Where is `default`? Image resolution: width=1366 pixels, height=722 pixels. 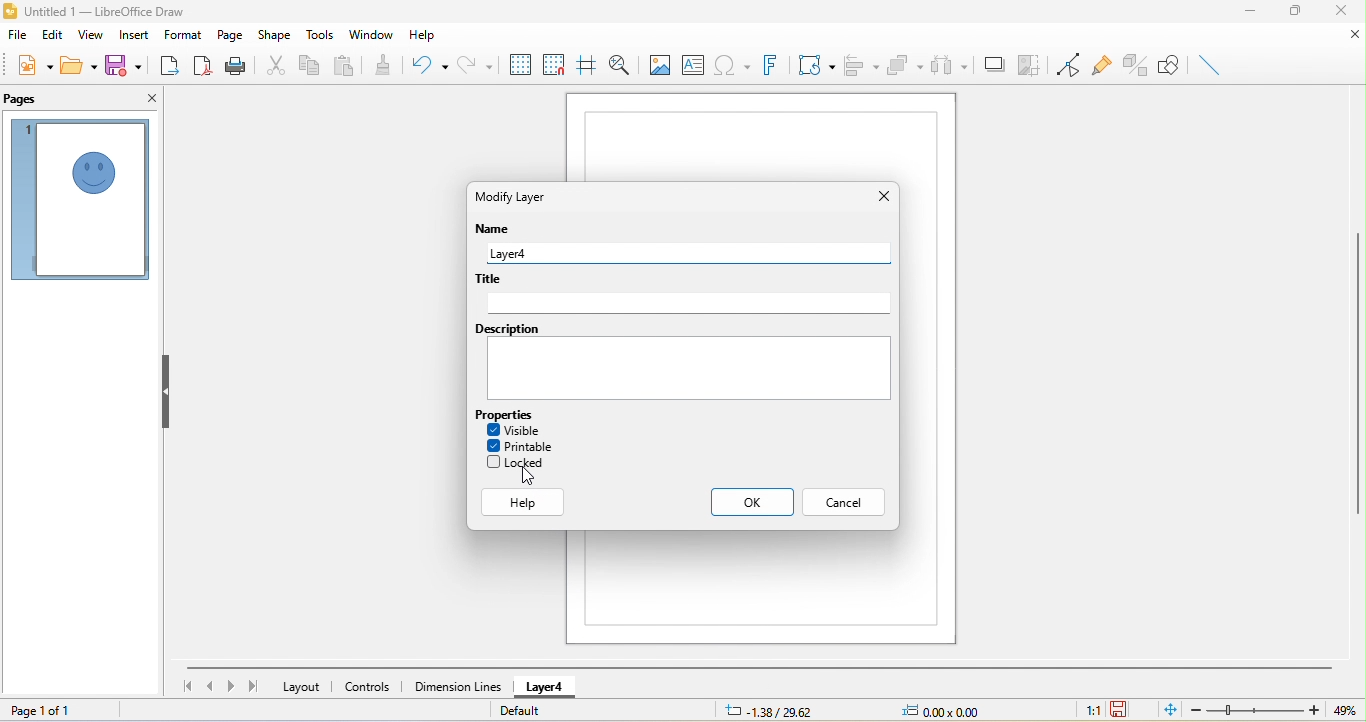 default is located at coordinates (526, 710).